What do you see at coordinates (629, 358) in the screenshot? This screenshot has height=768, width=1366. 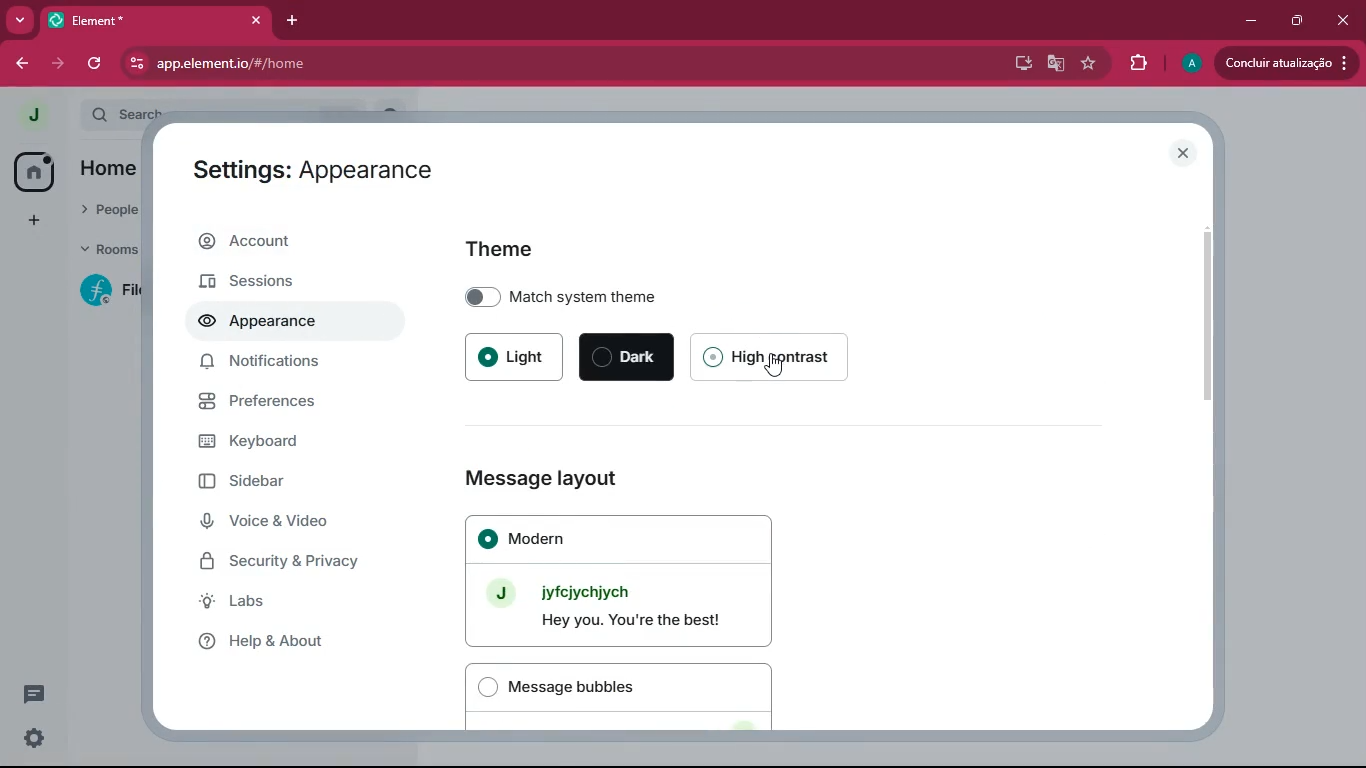 I see `dark` at bounding box center [629, 358].